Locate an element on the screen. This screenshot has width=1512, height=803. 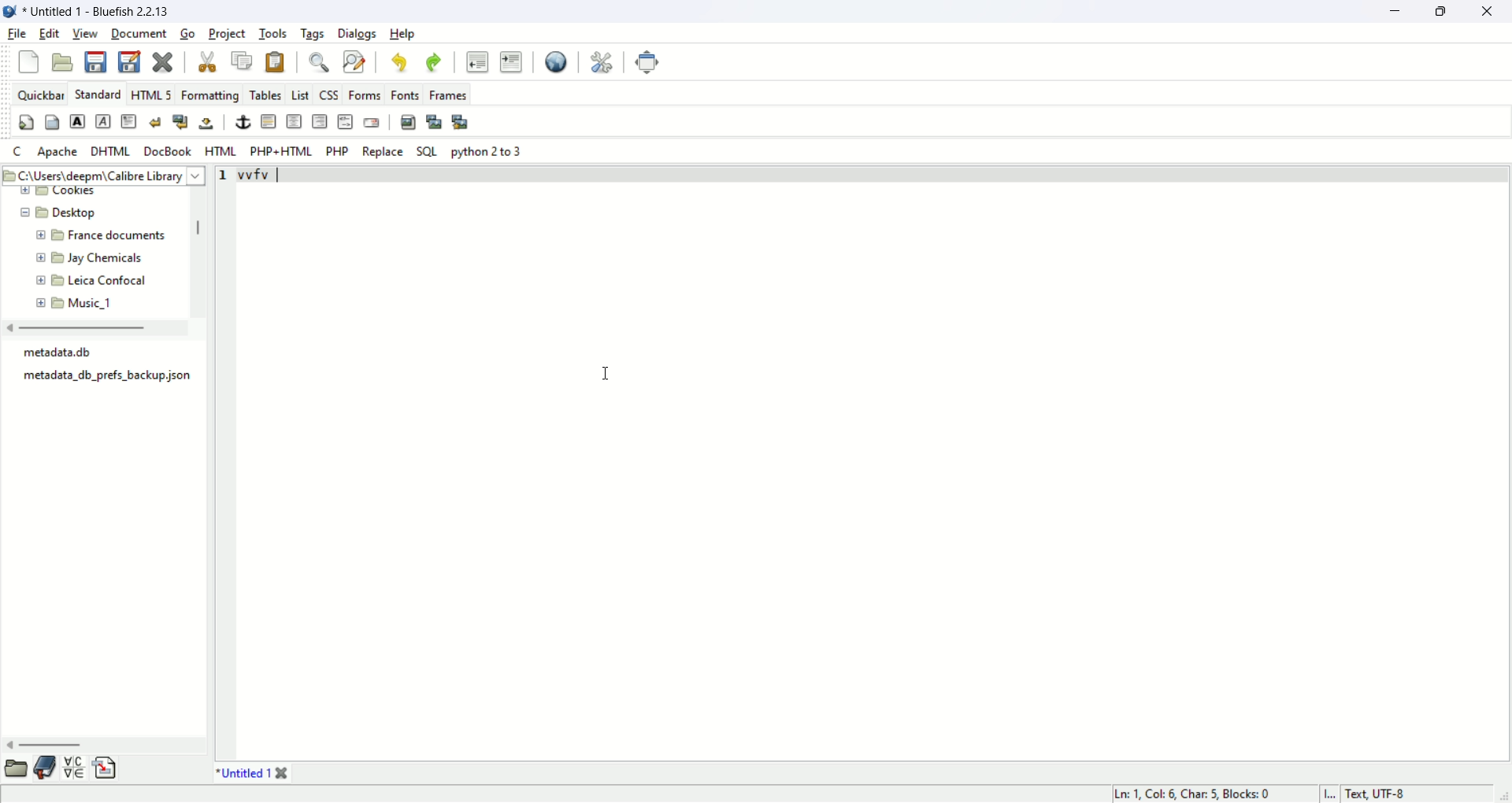
emphasis is located at coordinates (106, 120).